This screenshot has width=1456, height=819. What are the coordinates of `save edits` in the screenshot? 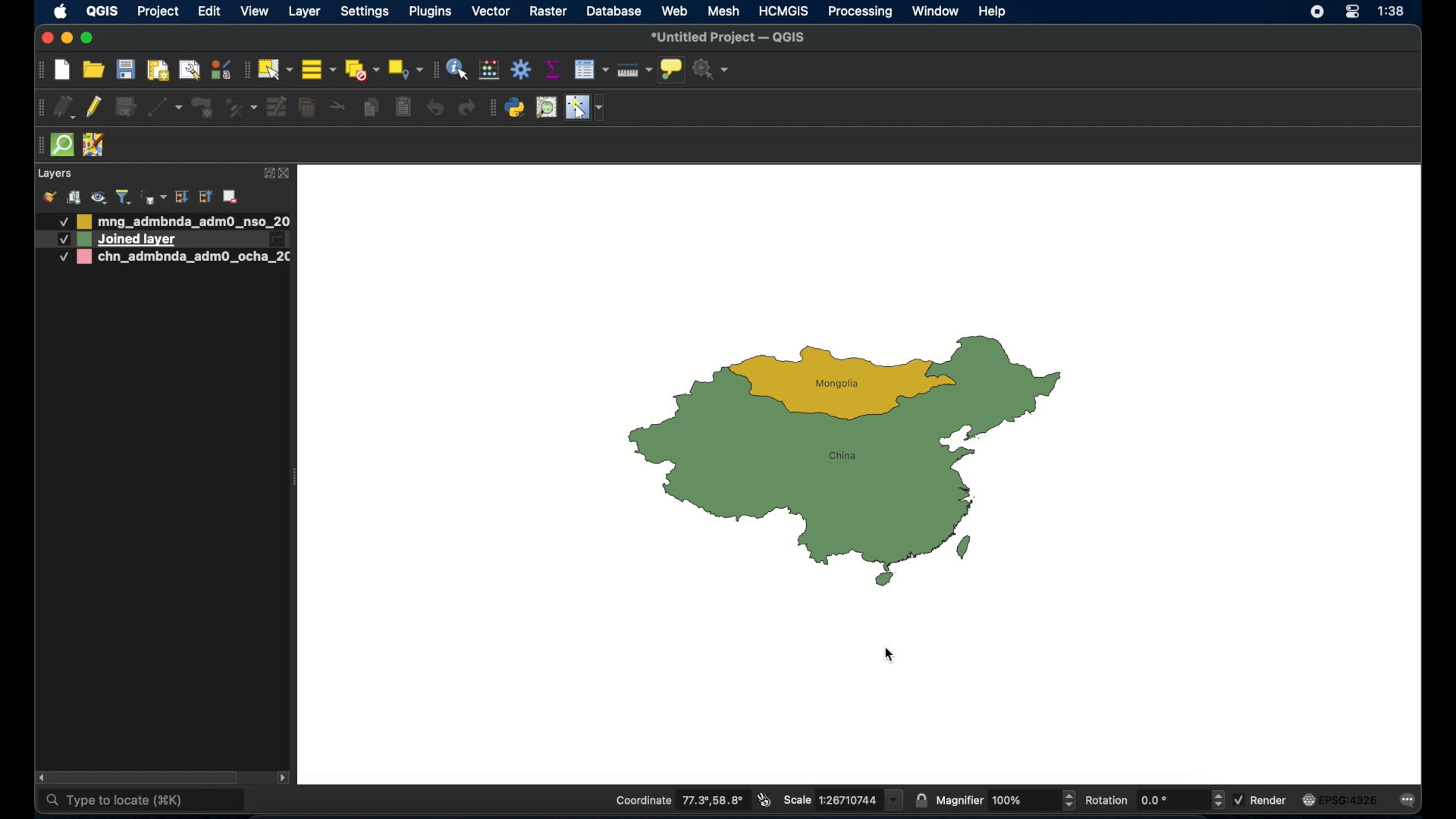 It's located at (127, 107).